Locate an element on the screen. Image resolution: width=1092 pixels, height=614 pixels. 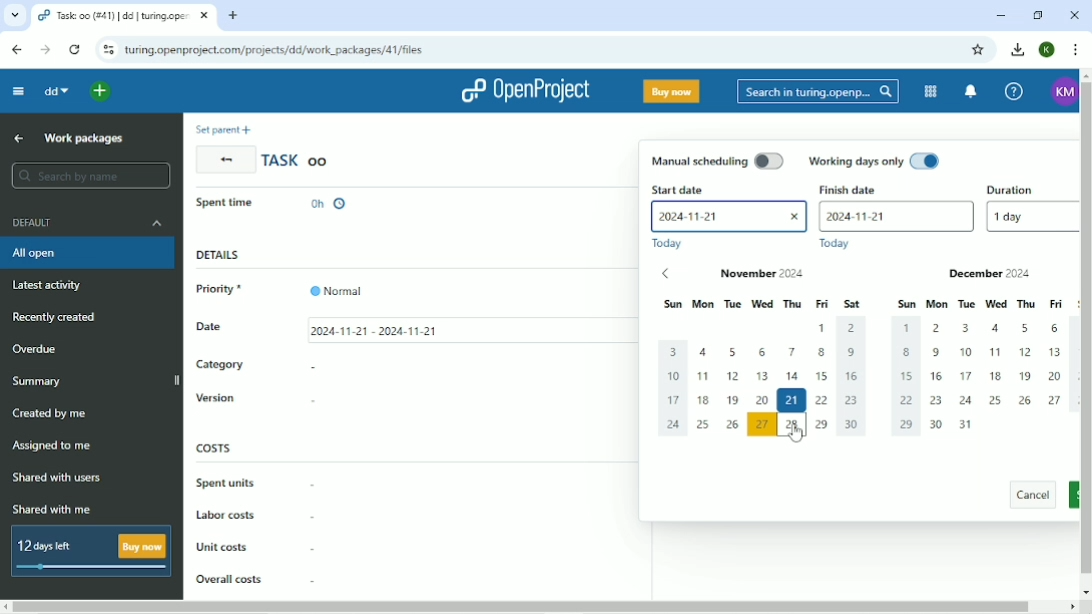
Set parent is located at coordinates (222, 129).